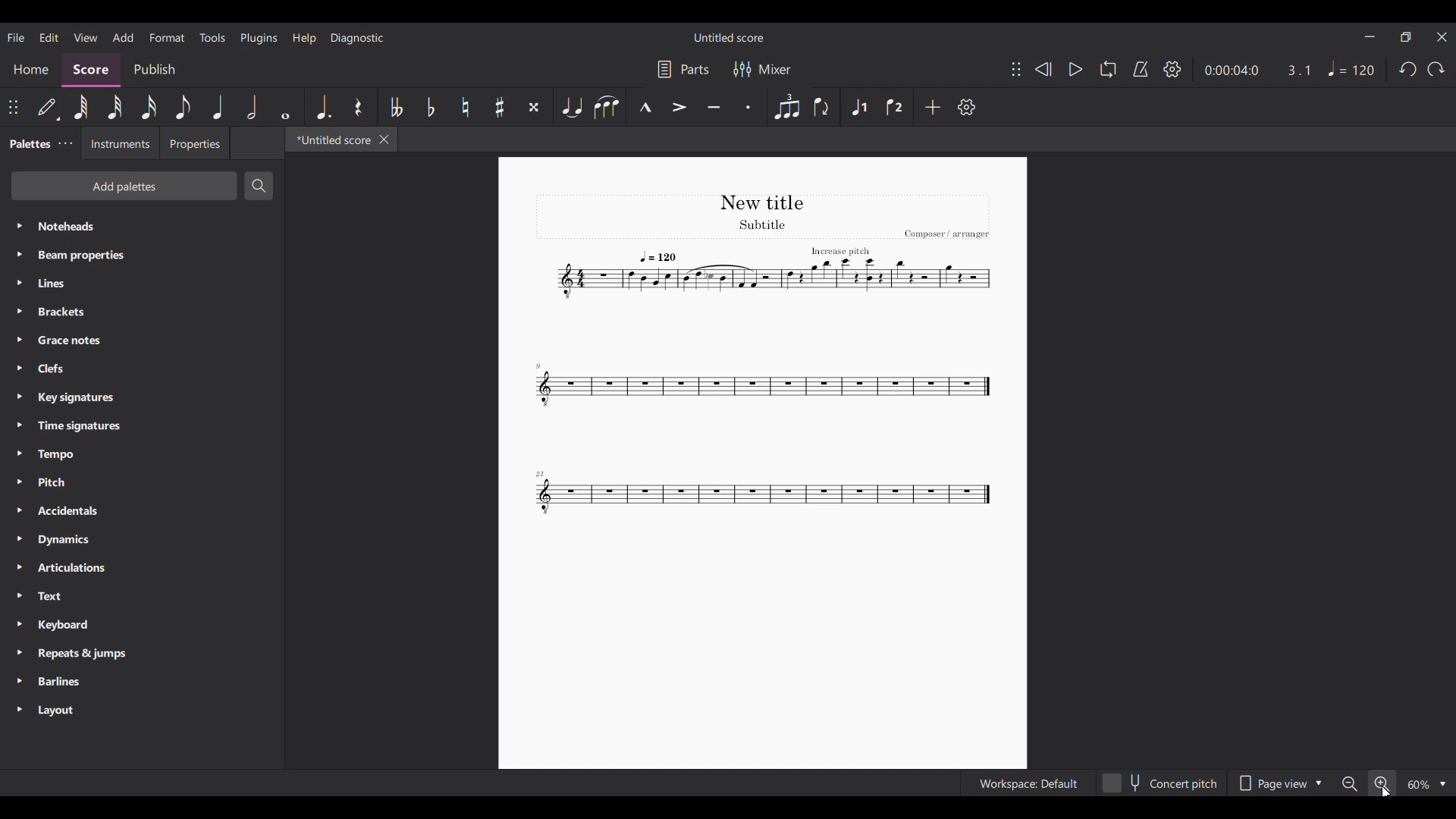  I want to click on Default, so click(47, 108).